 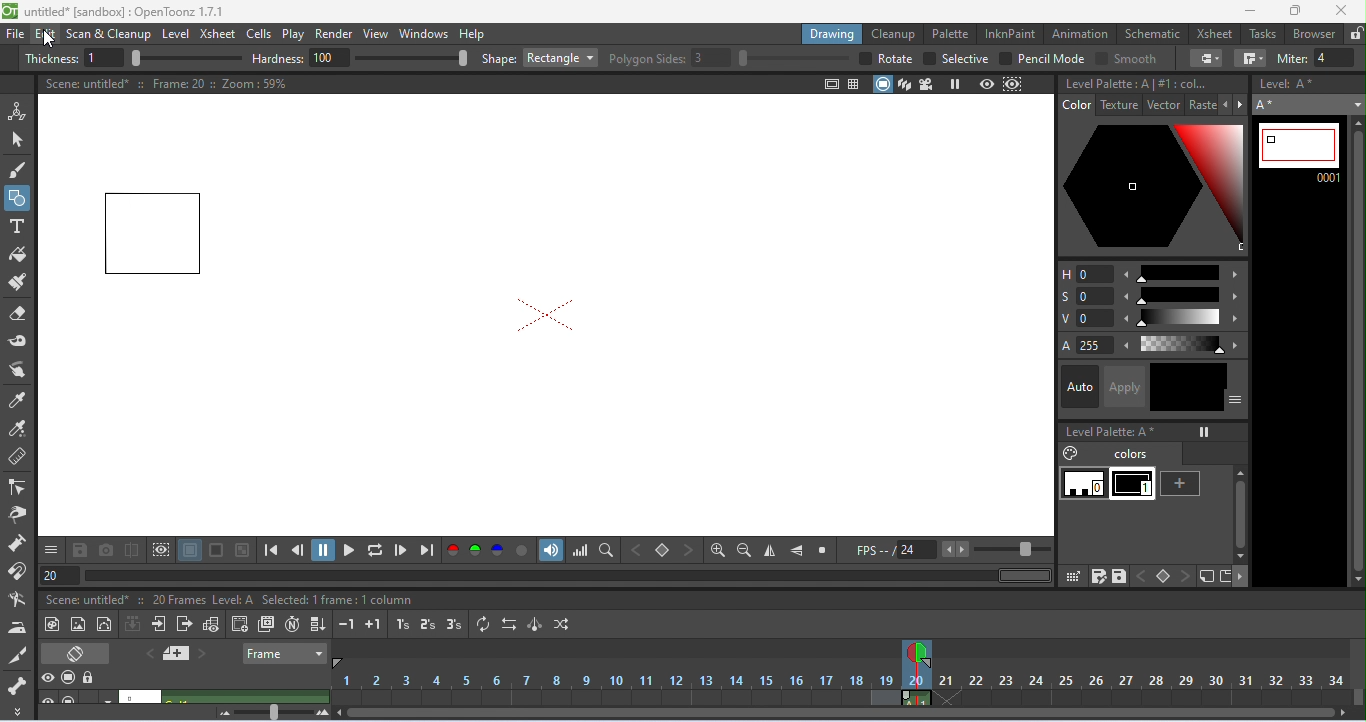 What do you see at coordinates (606, 550) in the screenshot?
I see `locator` at bounding box center [606, 550].